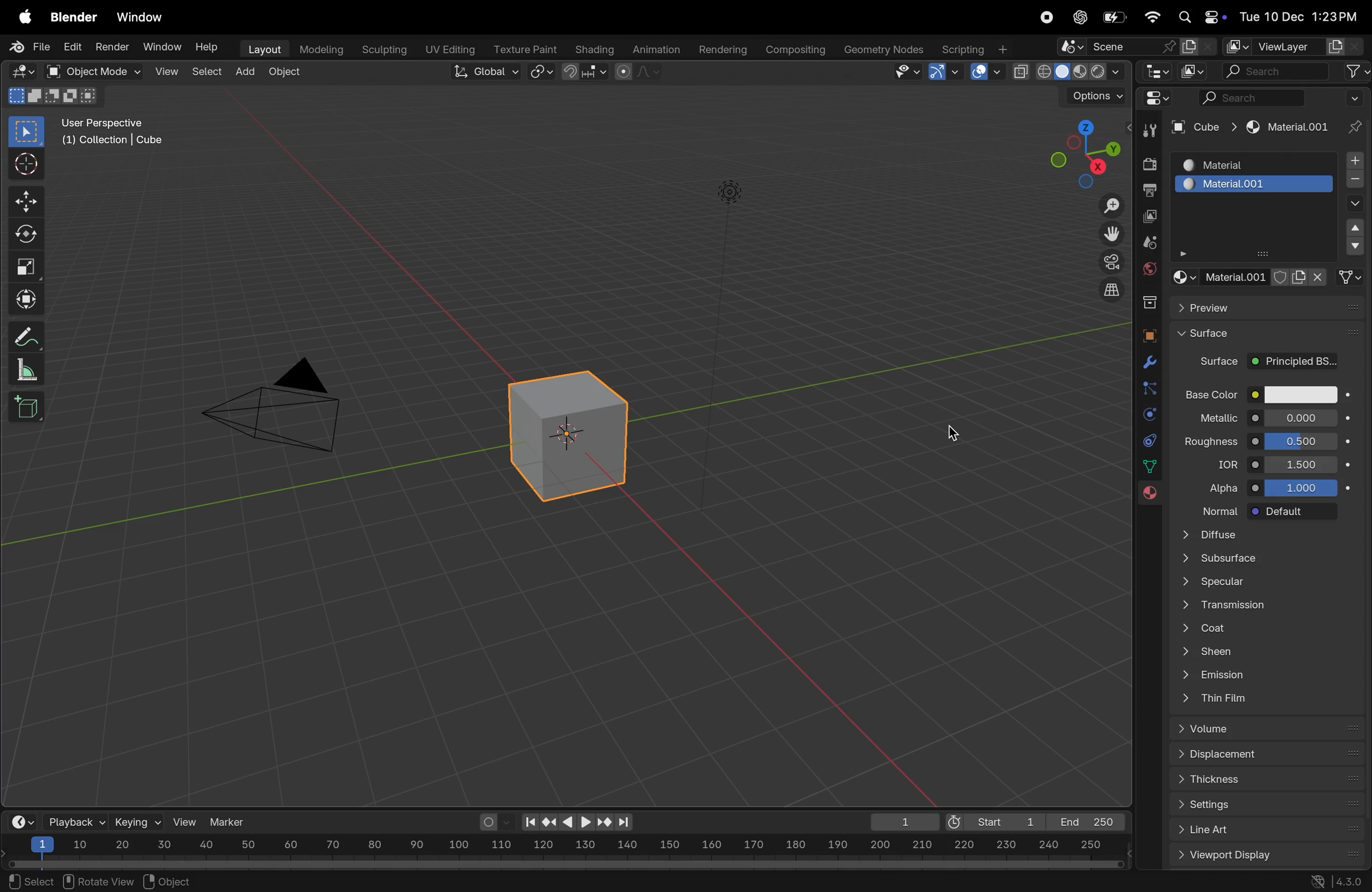 This screenshot has height=892, width=1372. I want to click on thin film, so click(1264, 700).